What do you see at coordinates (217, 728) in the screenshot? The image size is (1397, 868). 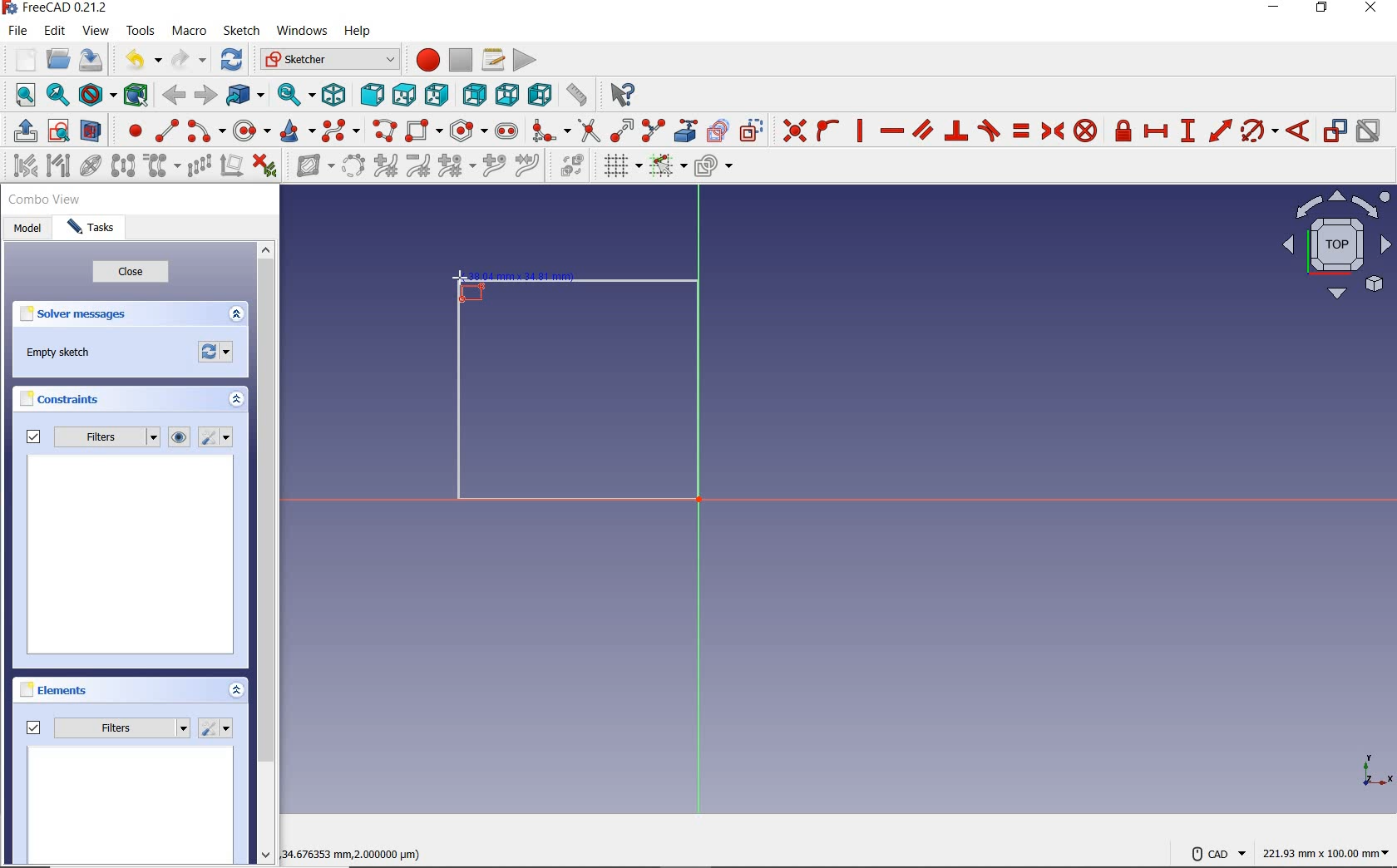 I see `settings` at bounding box center [217, 728].